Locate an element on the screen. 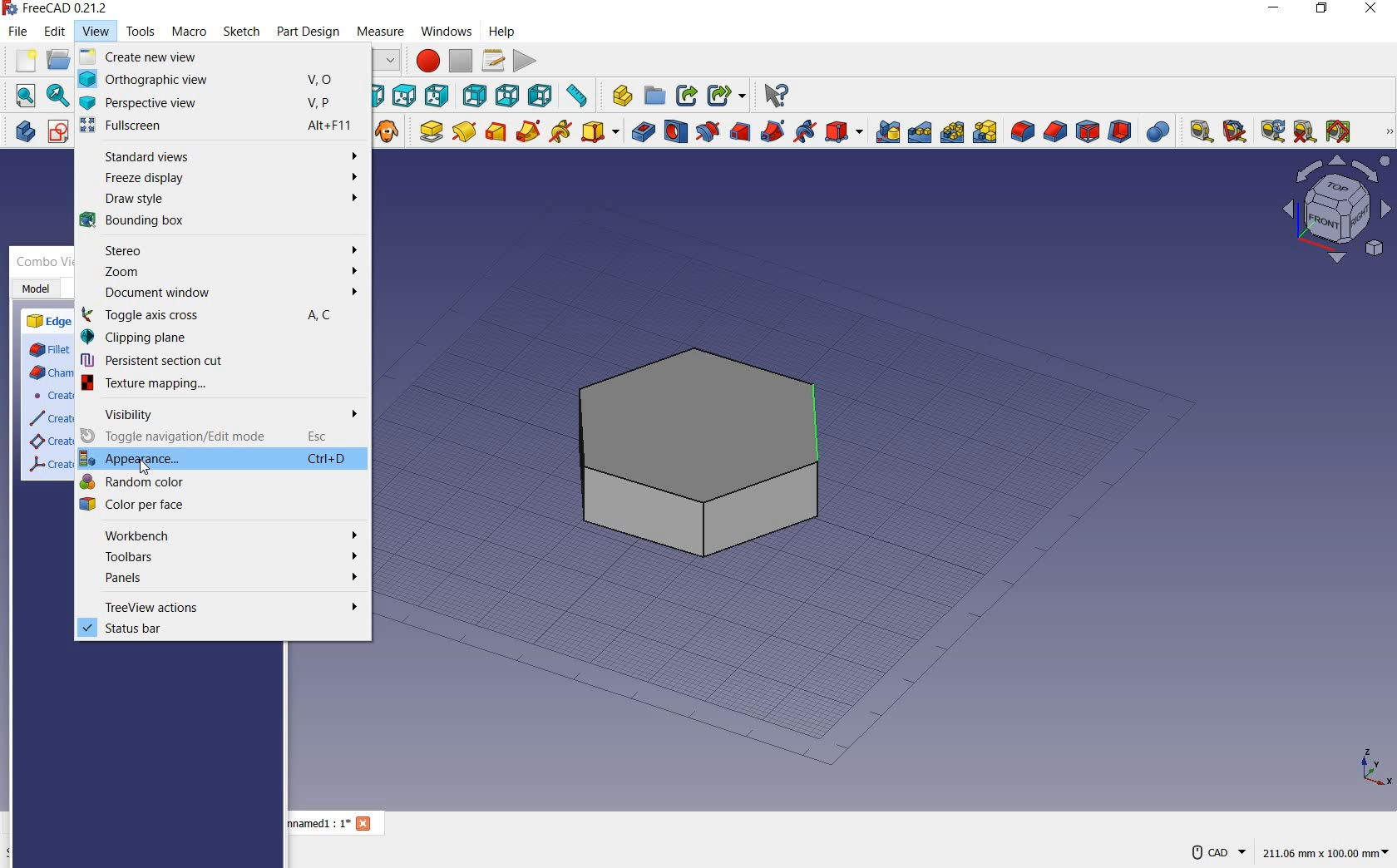  polar pattern is located at coordinates (953, 131).